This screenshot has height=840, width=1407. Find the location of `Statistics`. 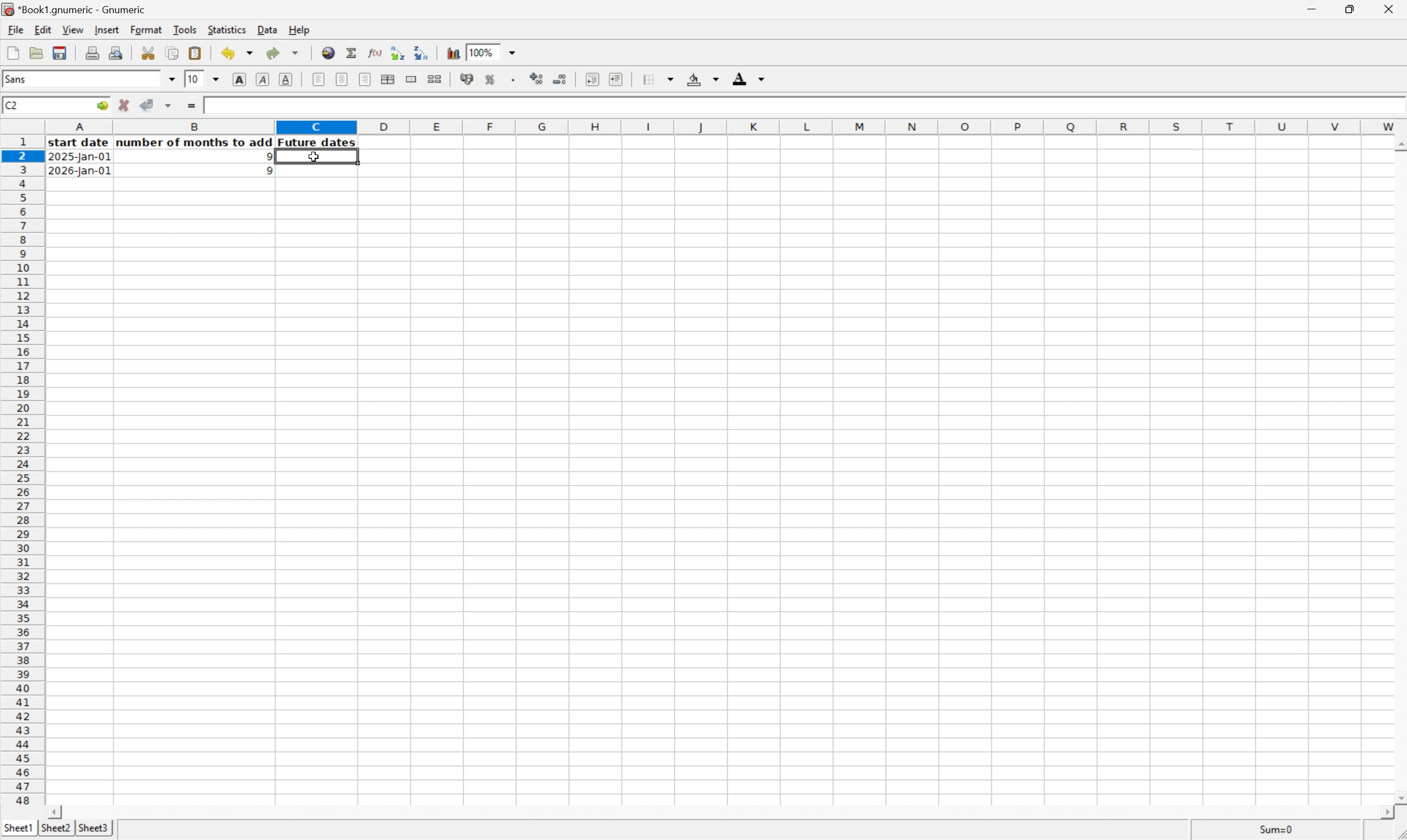

Statistics is located at coordinates (227, 28).